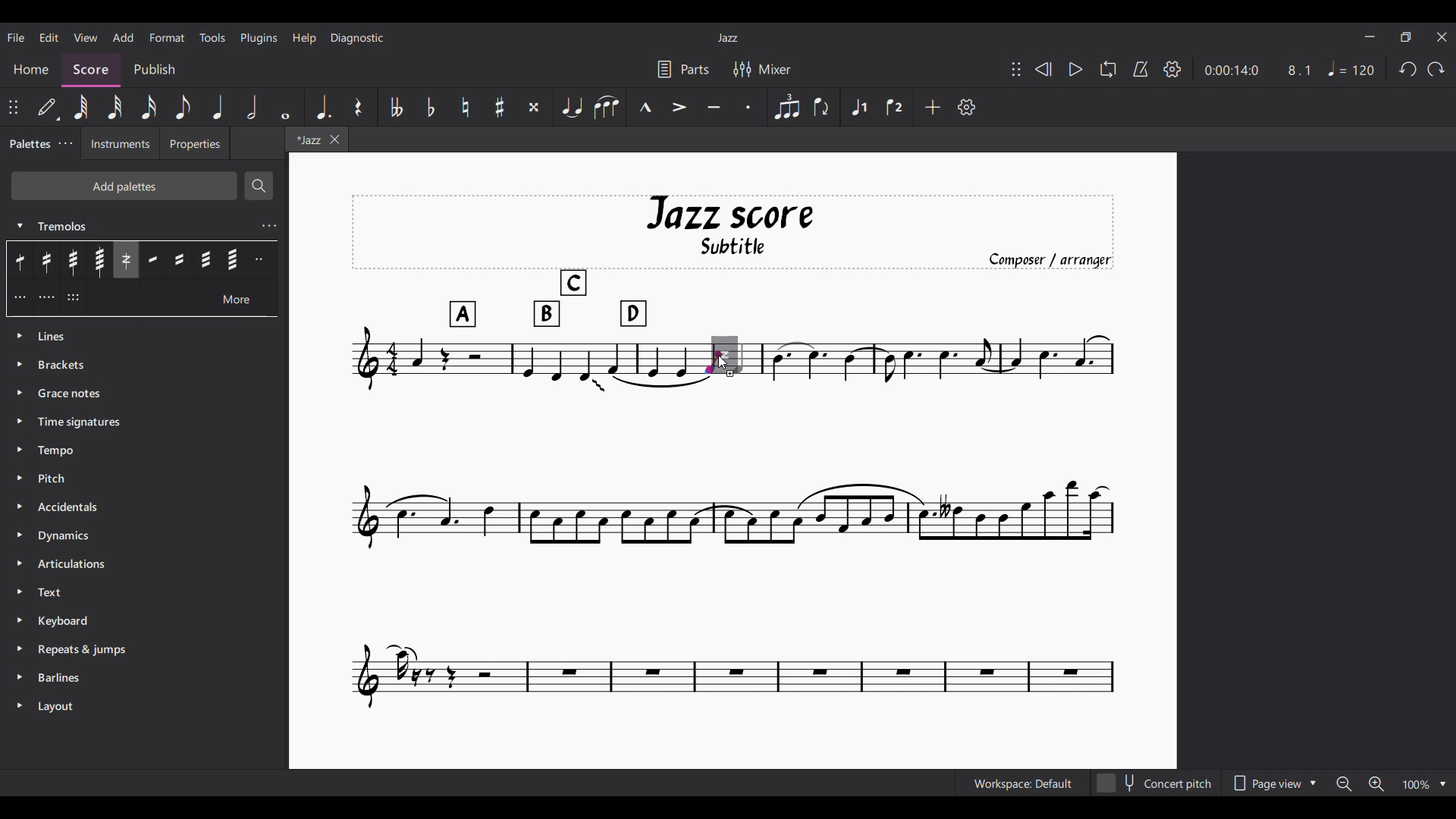 This screenshot has height=819, width=1456. Describe the element at coordinates (1370, 36) in the screenshot. I see `Minimize` at that location.